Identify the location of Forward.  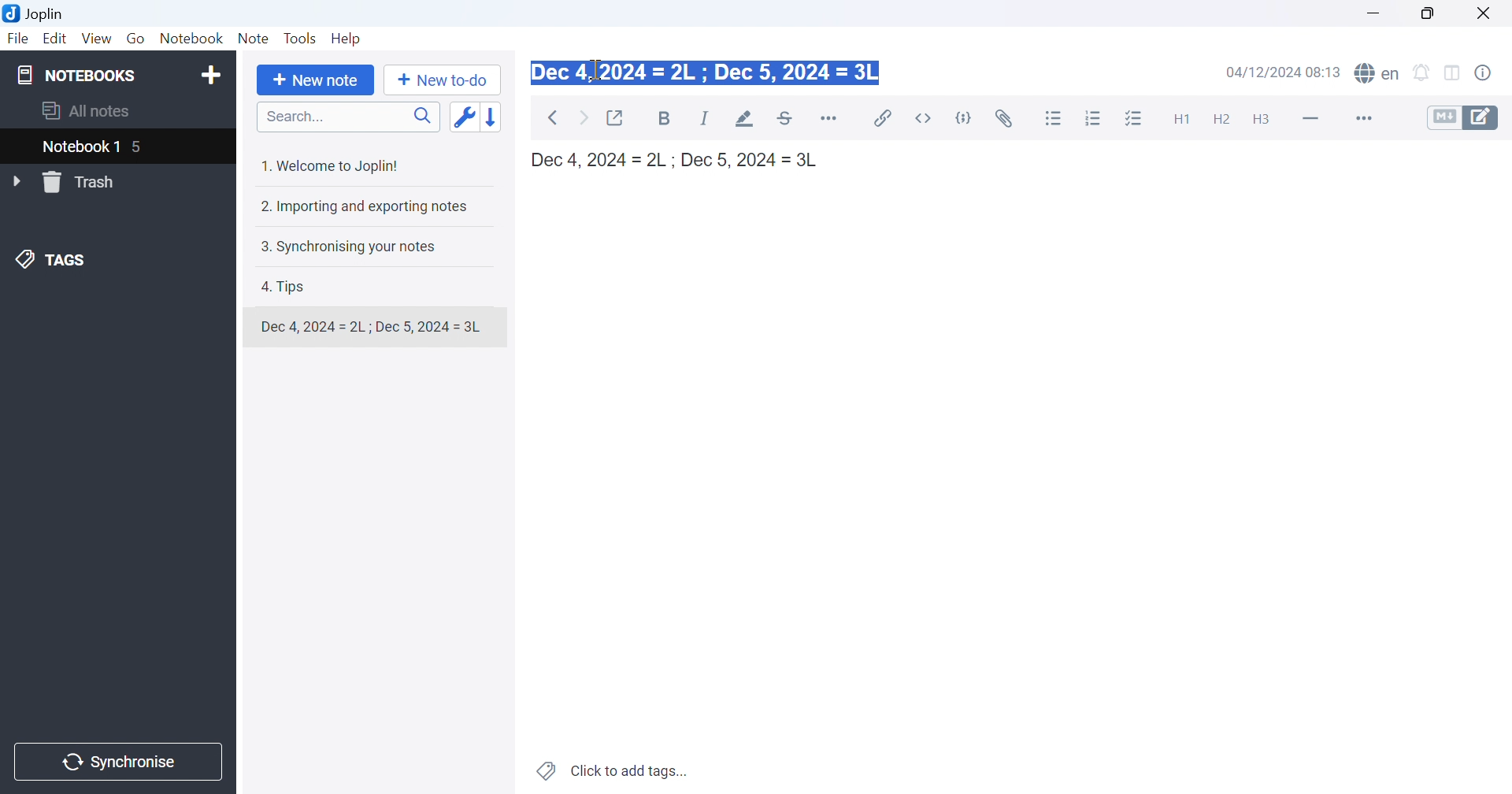
(584, 117).